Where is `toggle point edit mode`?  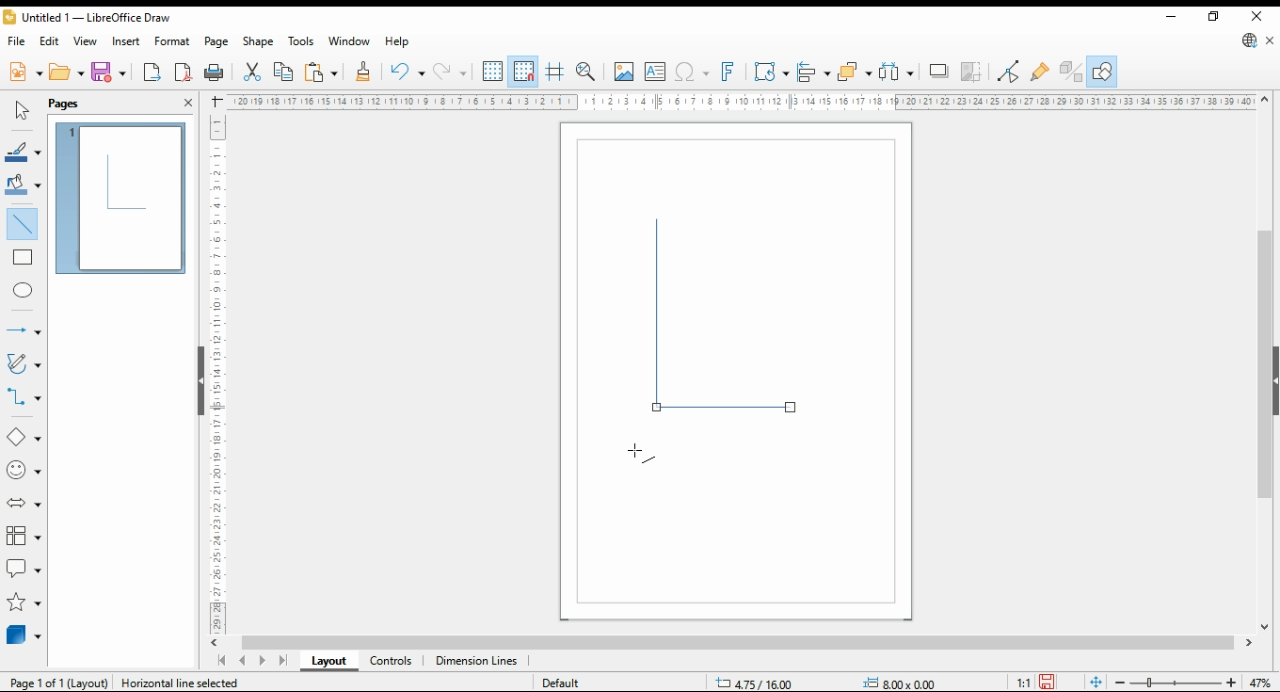
toggle point edit mode is located at coordinates (1010, 71).